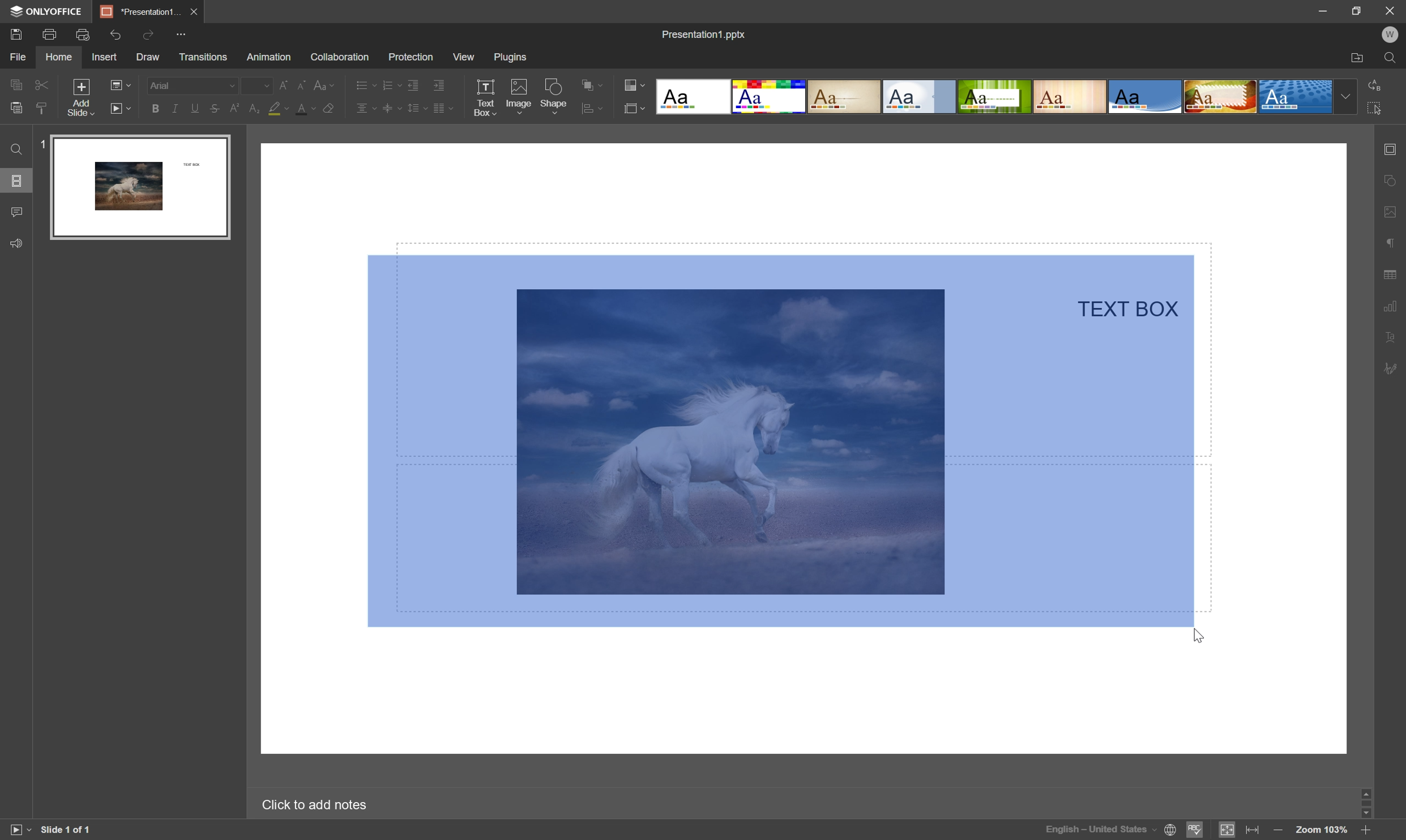 The height and width of the screenshot is (840, 1406). Describe the element at coordinates (203, 57) in the screenshot. I see `transitions` at that location.